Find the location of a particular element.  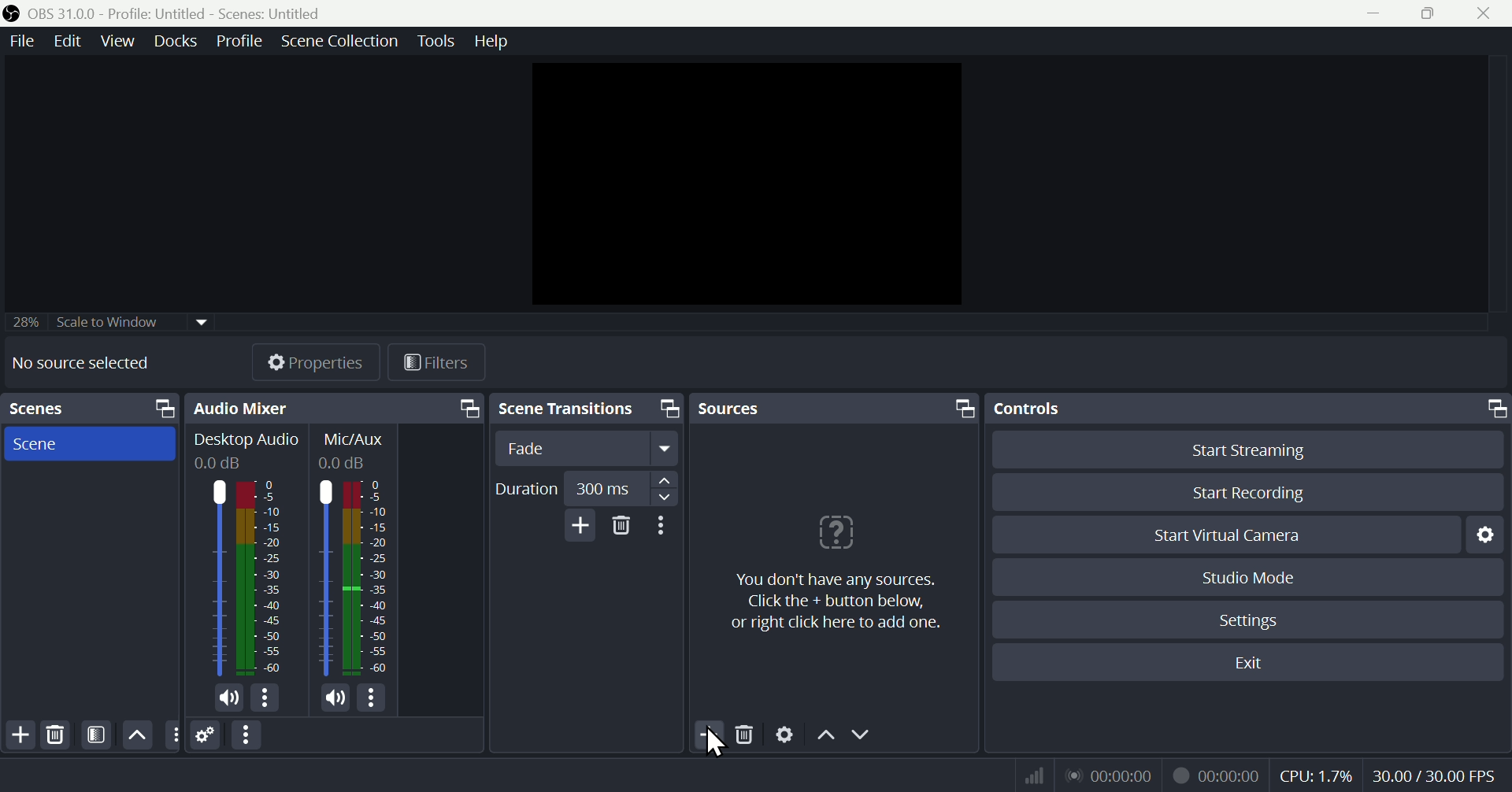

OBS 31.0 .0 profile: untitled scenes: untitled is located at coordinates (184, 13).